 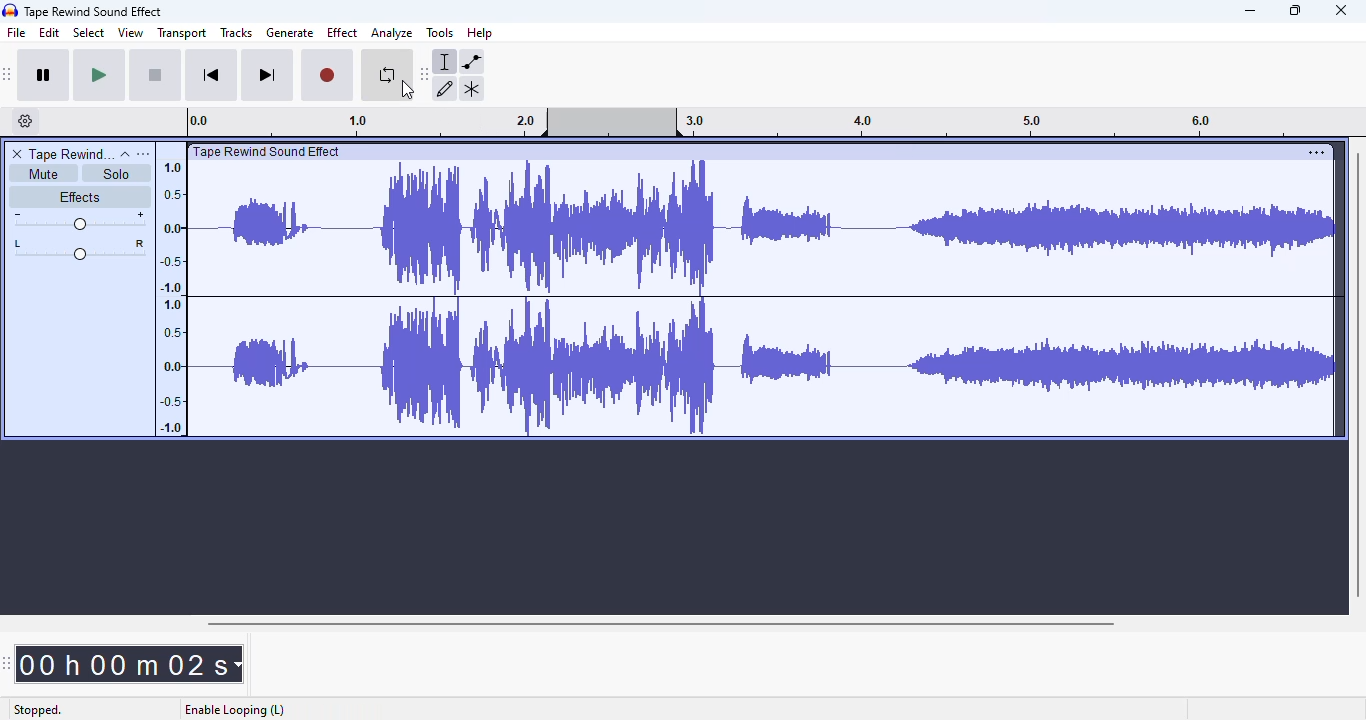 What do you see at coordinates (447, 88) in the screenshot?
I see `draw tool` at bounding box center [447, 88].